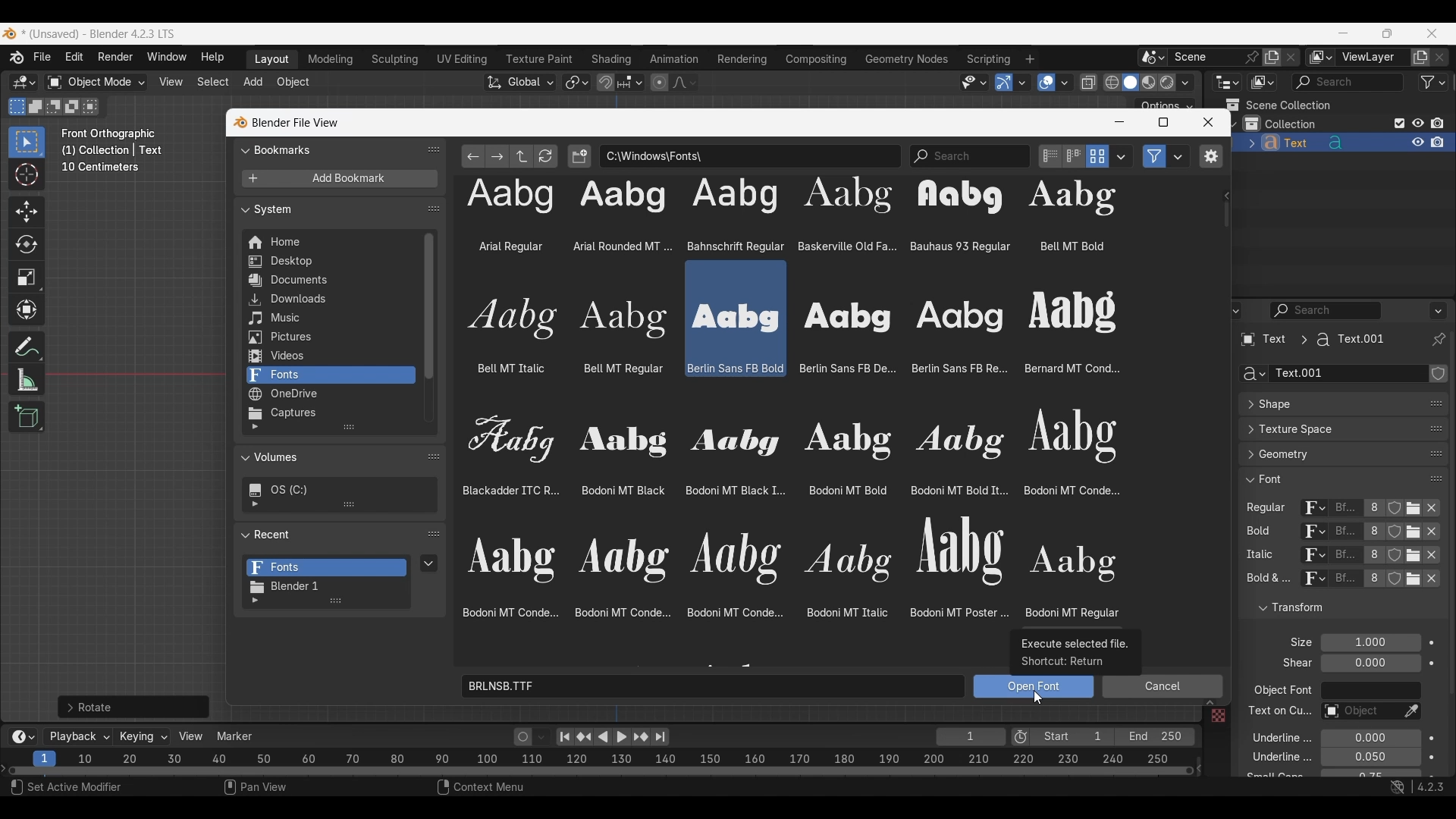 The height and width of the screenshot is (819, 1456). I want to click on Show filtering options, so click(255, 601).